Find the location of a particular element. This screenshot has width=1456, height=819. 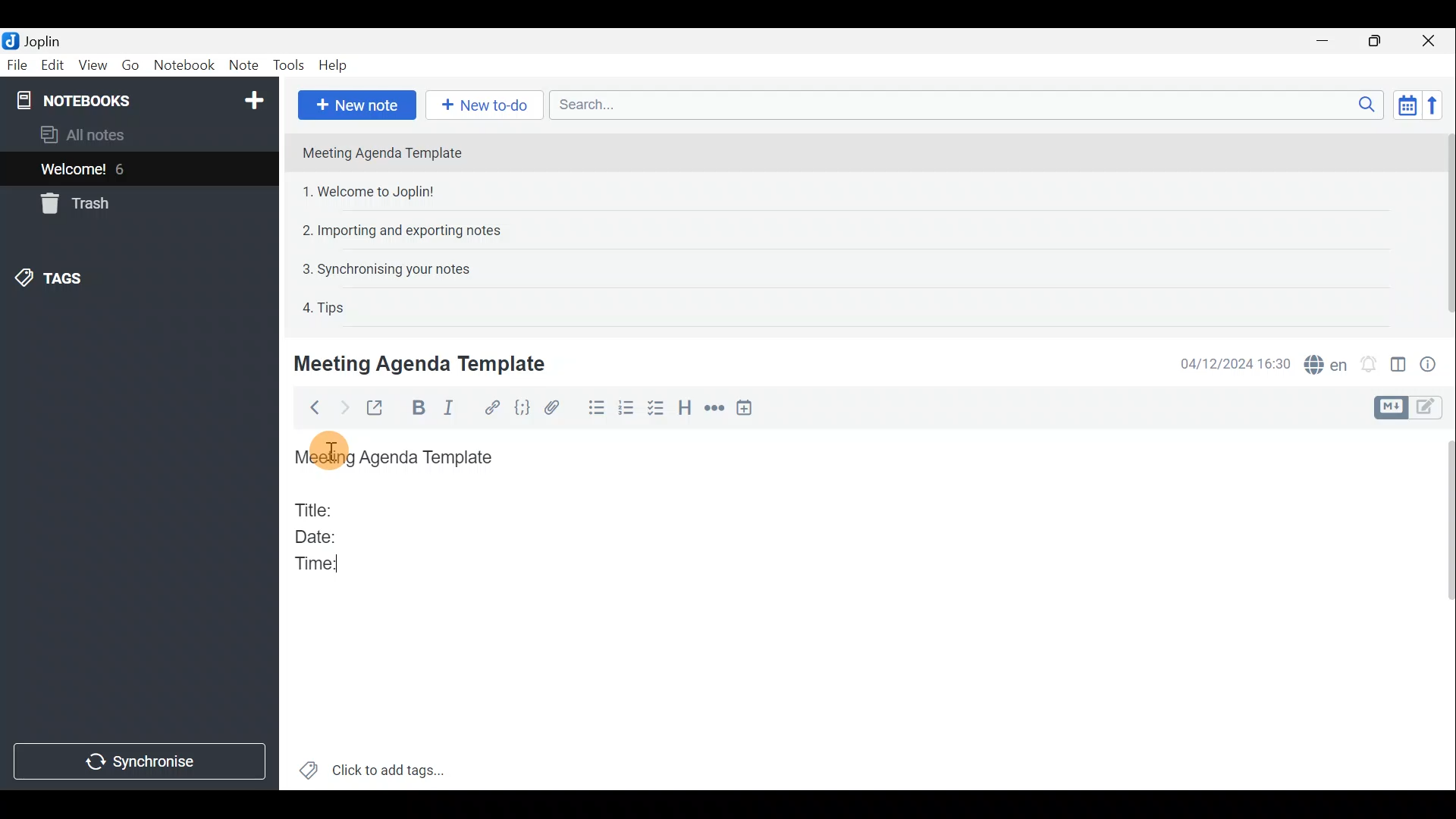

 is located at coordinates (331, 449).